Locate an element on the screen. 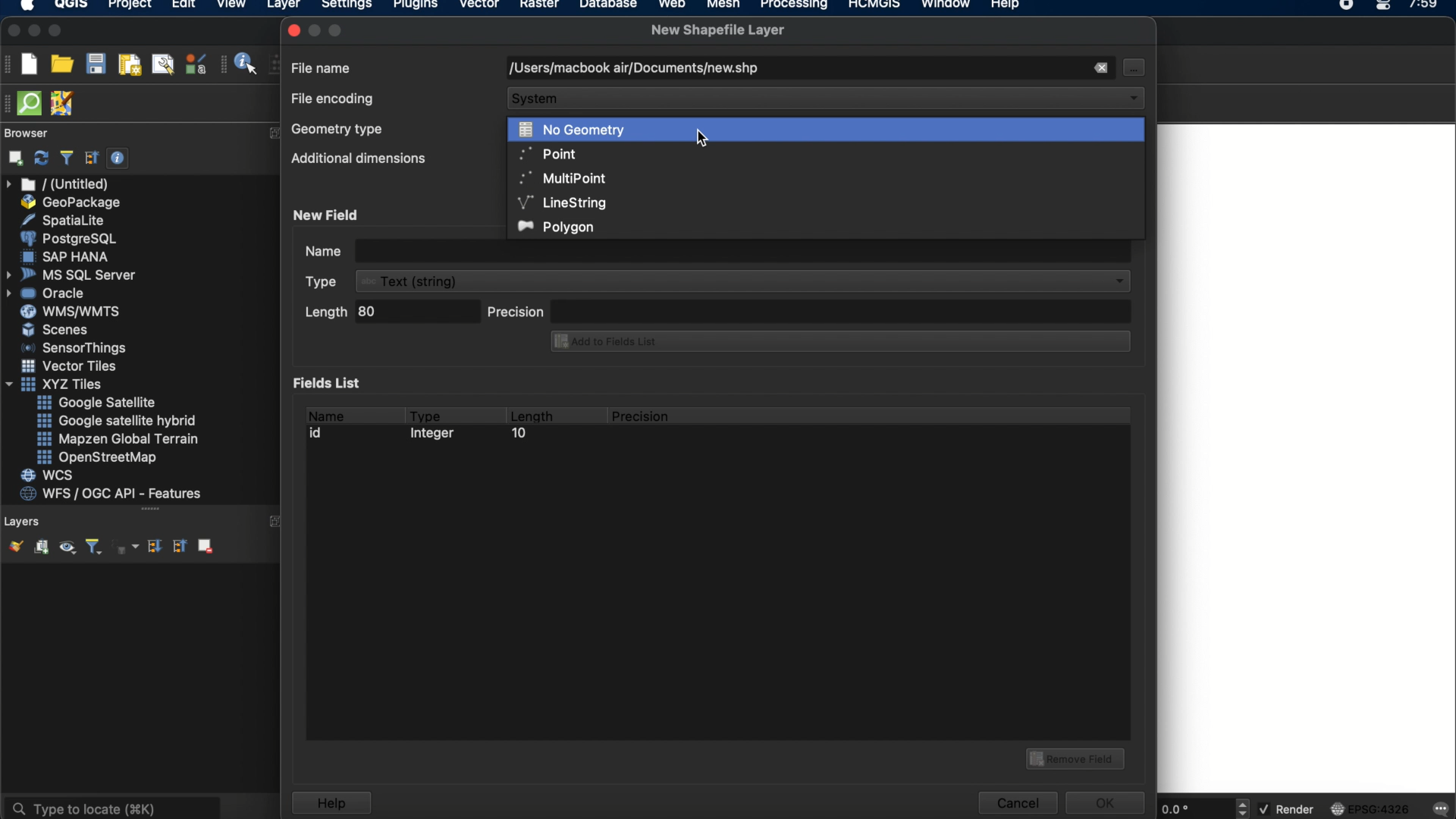 Image resolution: width=1456 pixels, height=819 pixels. expand is located at coordinates (277, 522).